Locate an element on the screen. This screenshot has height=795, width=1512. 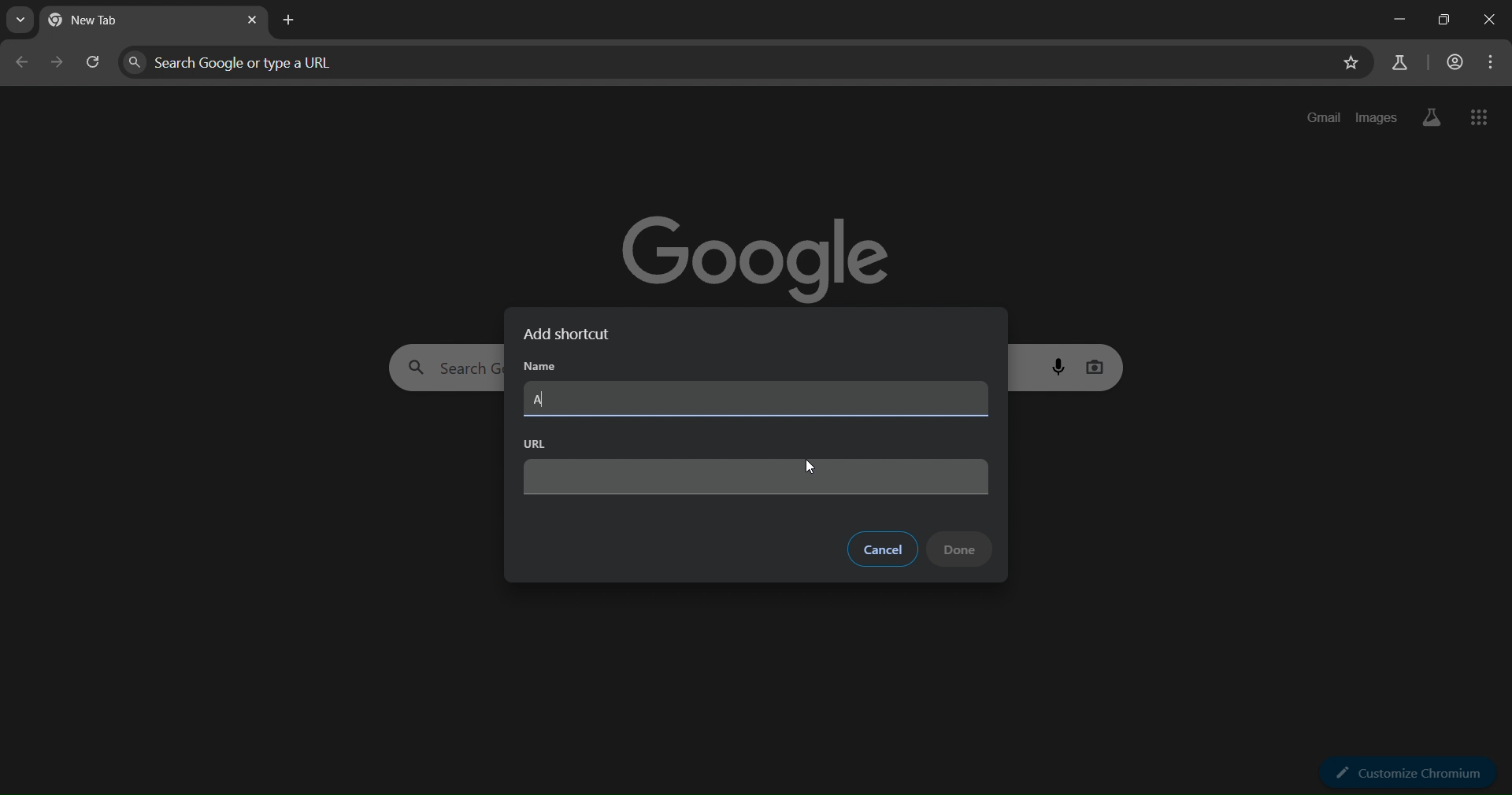
search tabs is located at coordinates (24, 20).